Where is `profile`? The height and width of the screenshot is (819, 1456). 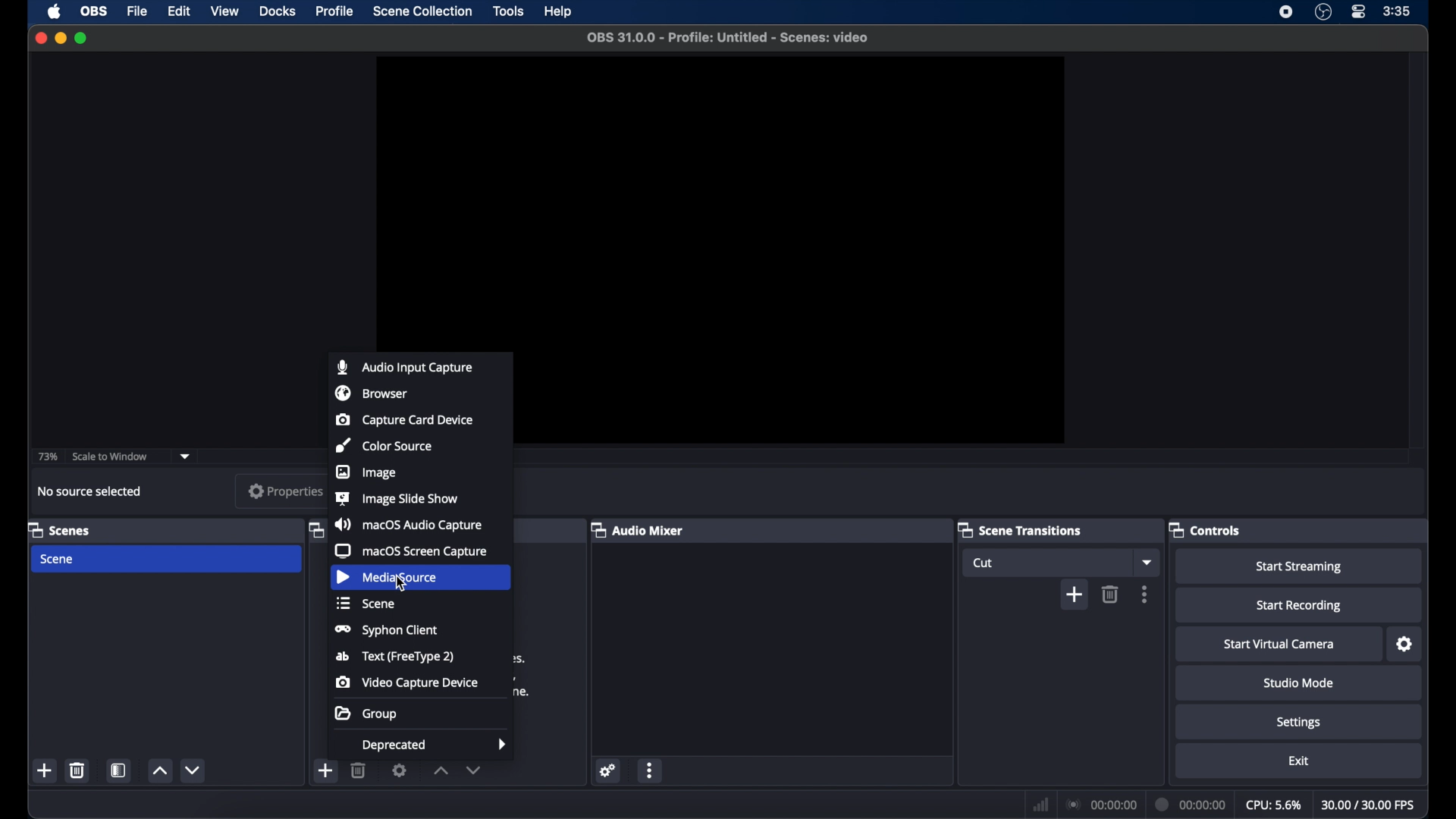
profile is located at coordinates (336, 11).